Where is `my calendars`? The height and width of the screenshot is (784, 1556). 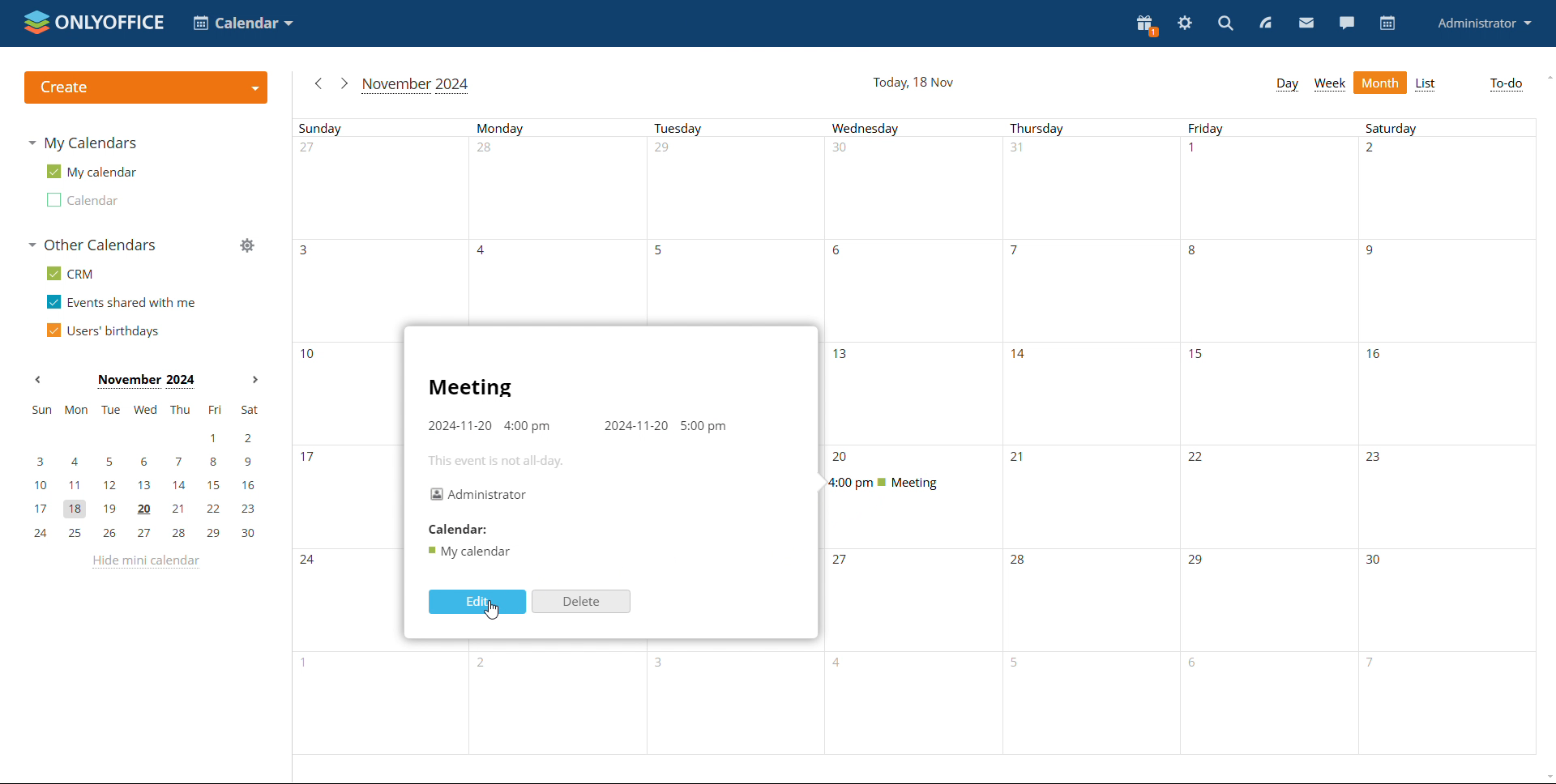 my calendars is located at coordinates (83, 143).